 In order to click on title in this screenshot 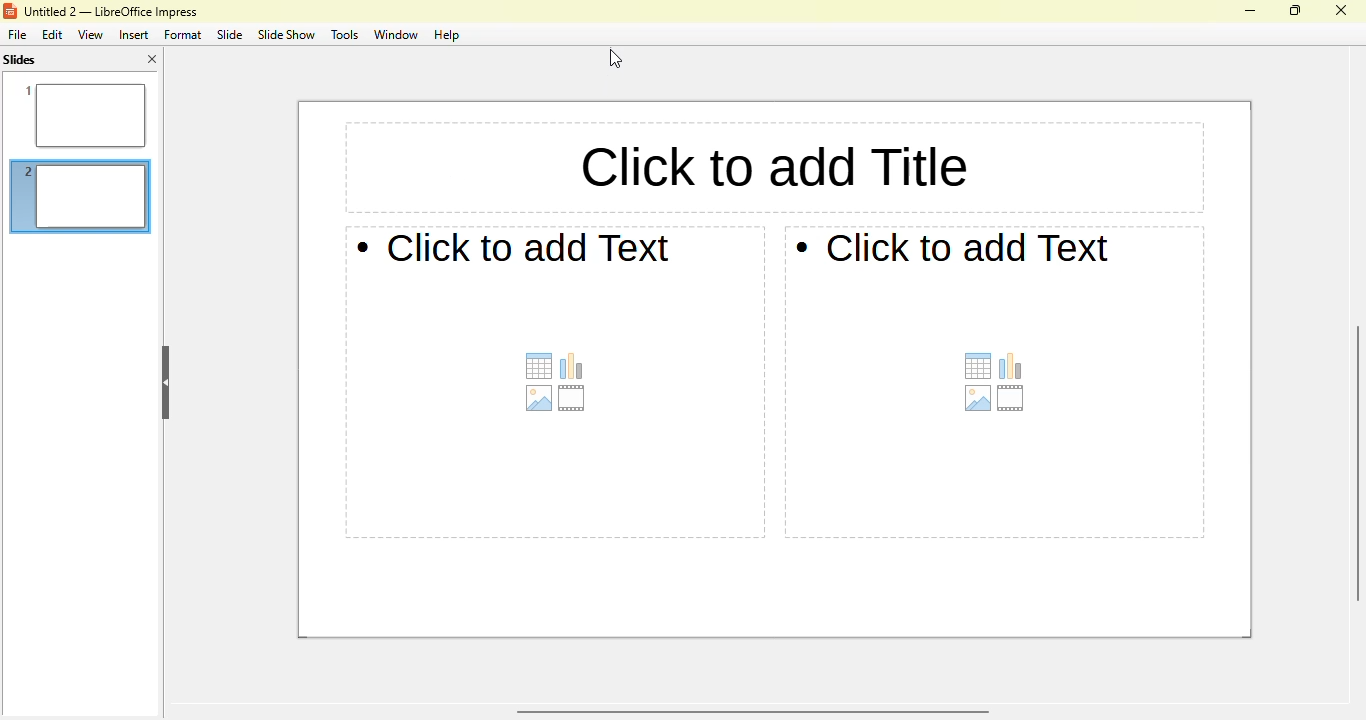, I will do `click(771, 168)`.